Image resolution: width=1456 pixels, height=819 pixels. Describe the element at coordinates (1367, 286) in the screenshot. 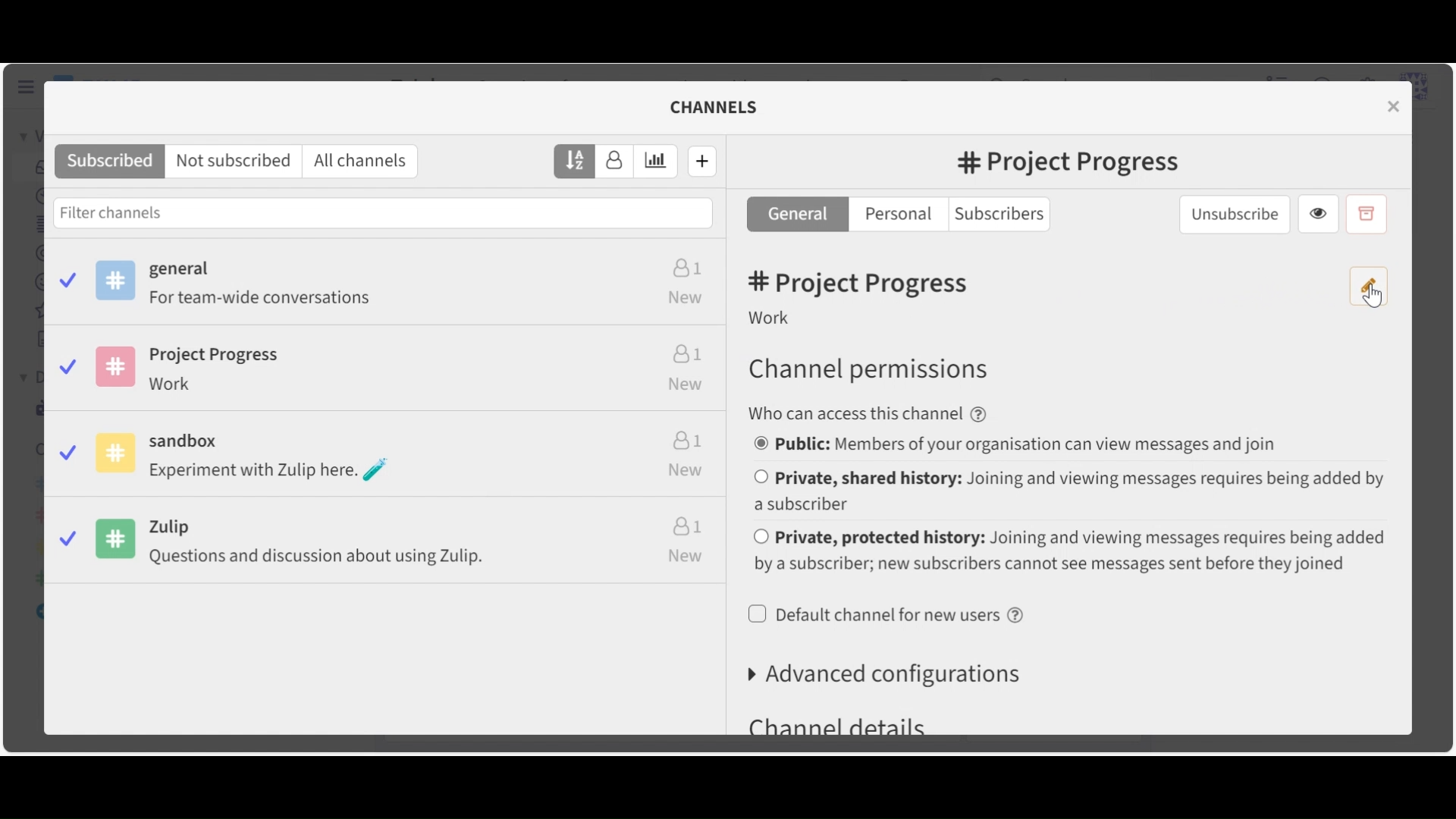

I see `Edit channel name and description` at that location.